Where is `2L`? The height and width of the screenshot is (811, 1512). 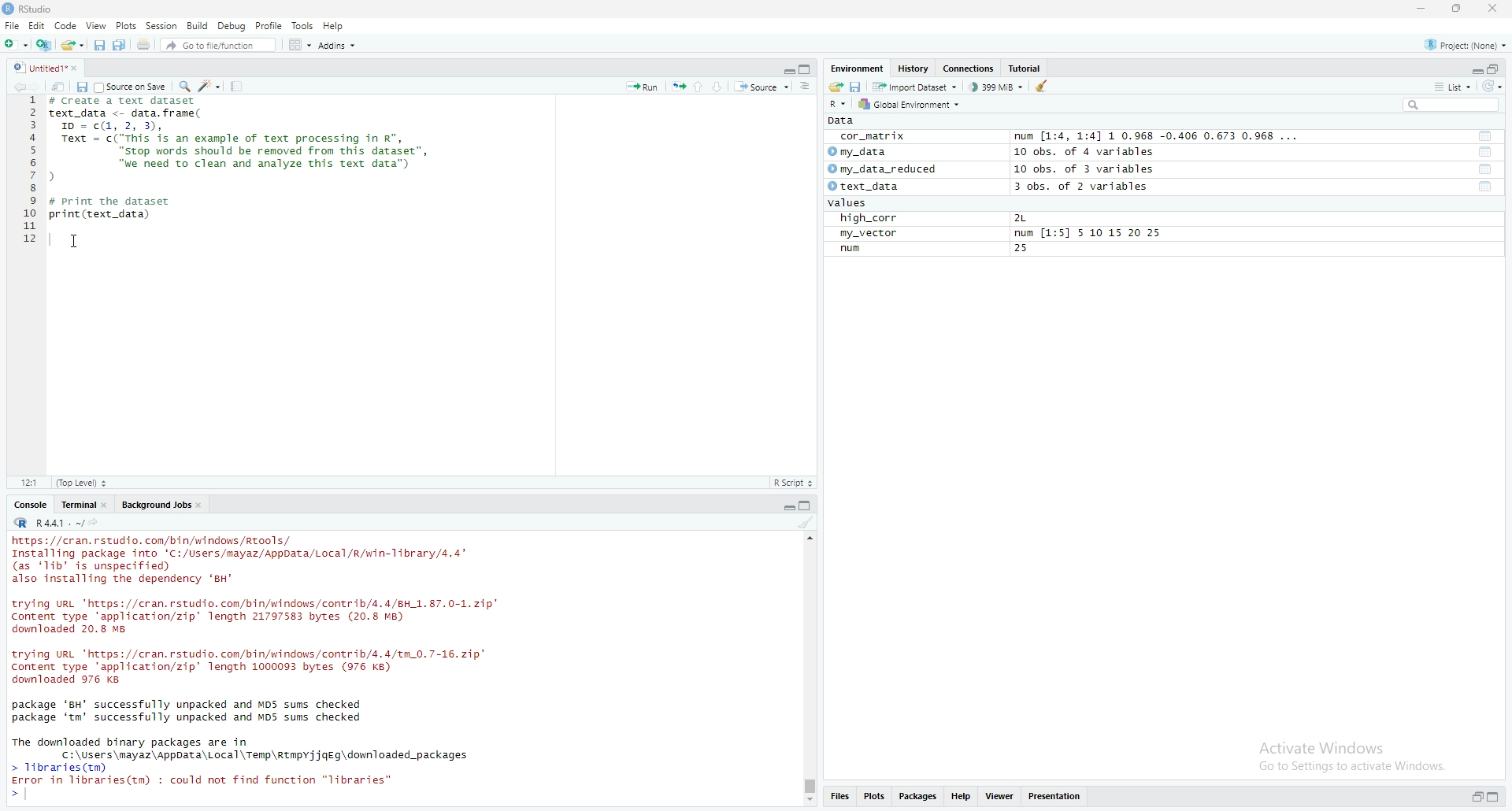
2L is located at coordinates (1020, 218).